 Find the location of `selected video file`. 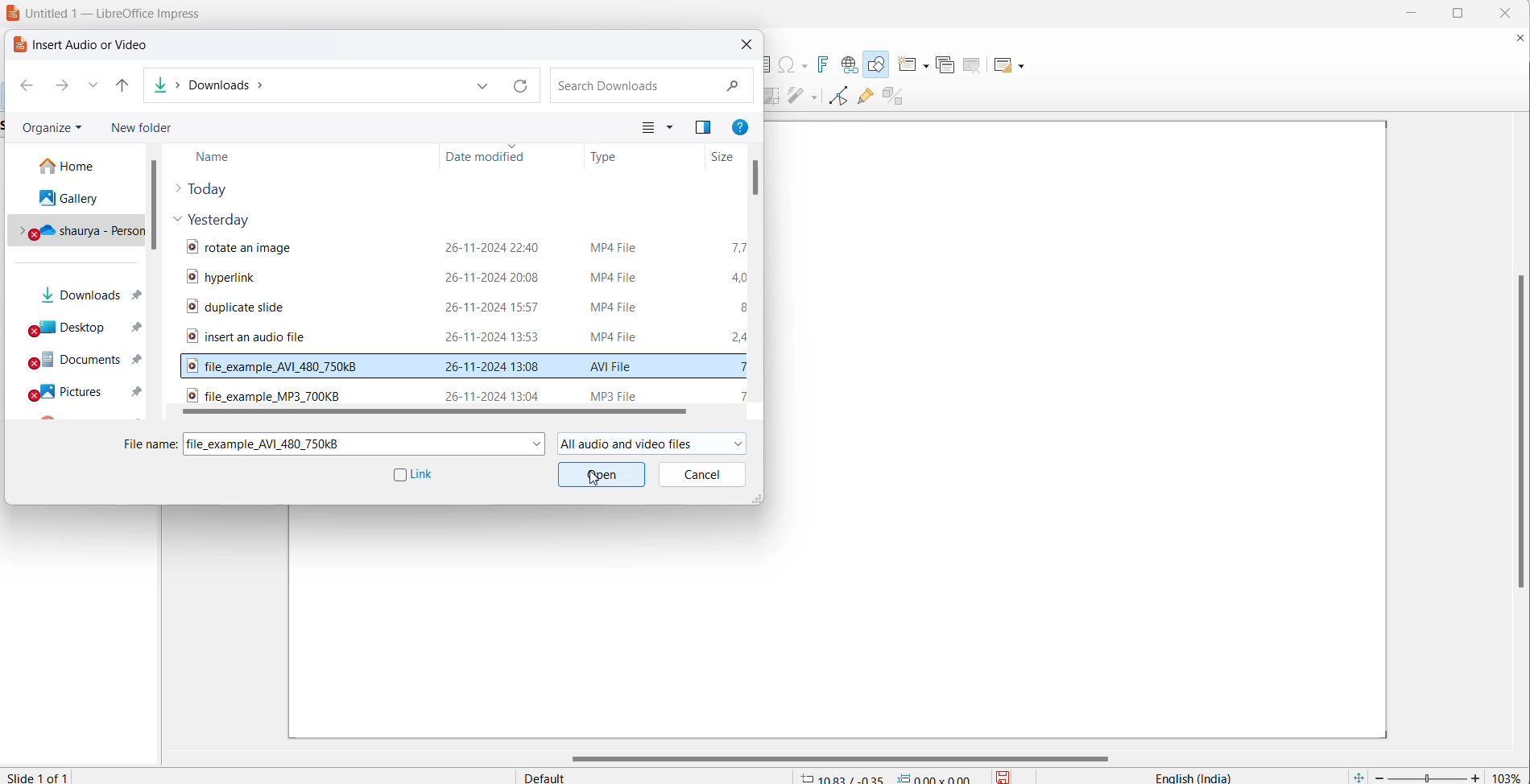

selected video file is located at coordinates (308, 365).